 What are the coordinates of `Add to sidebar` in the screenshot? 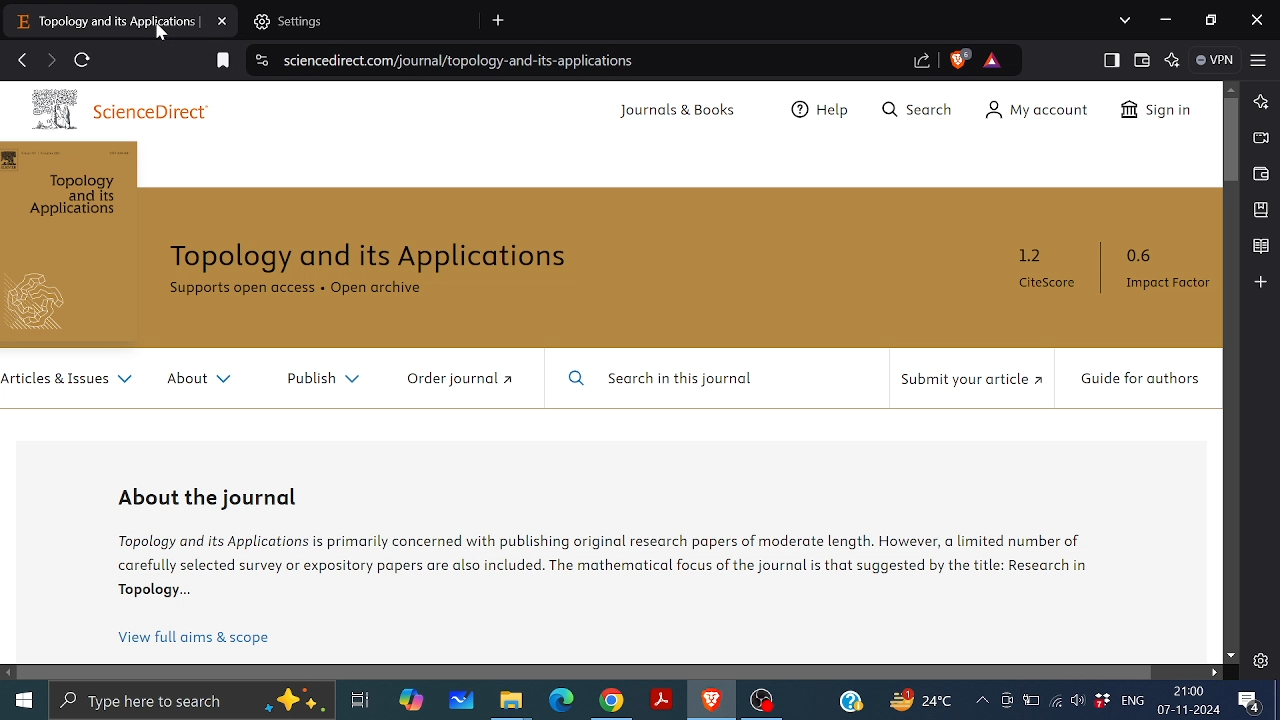 It's located at (1259, 282).